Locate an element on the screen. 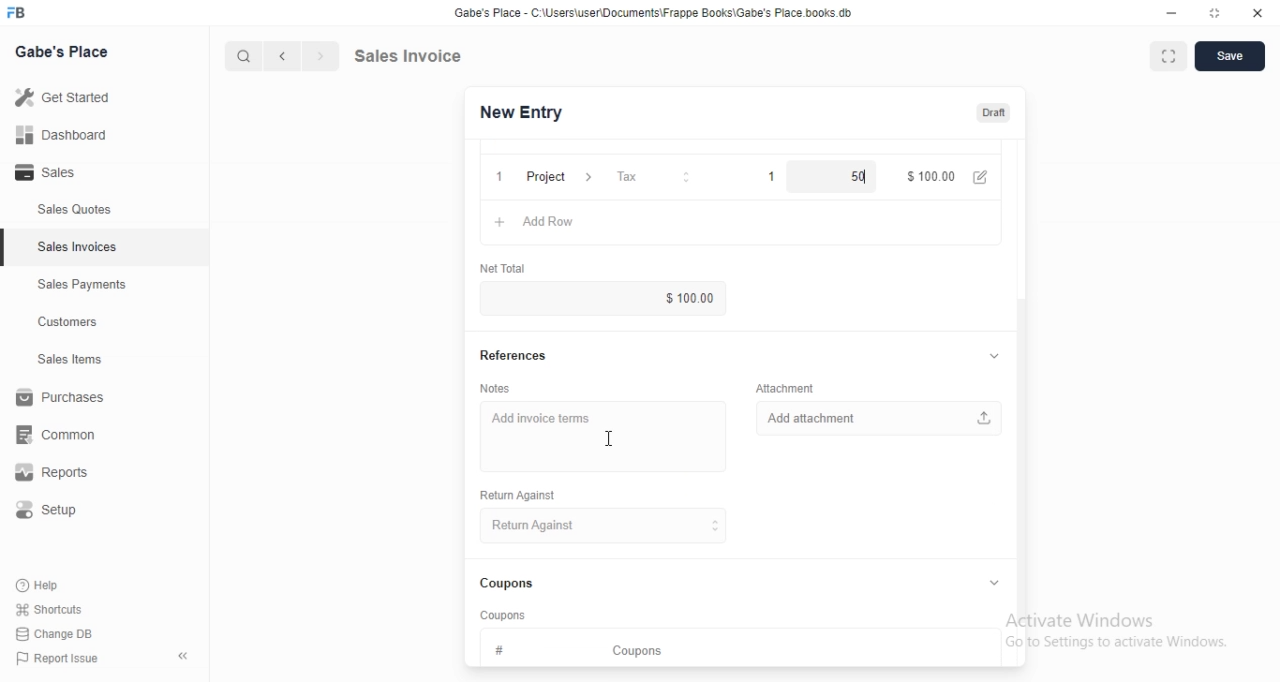  cursor is located at coordinates (611, 439).